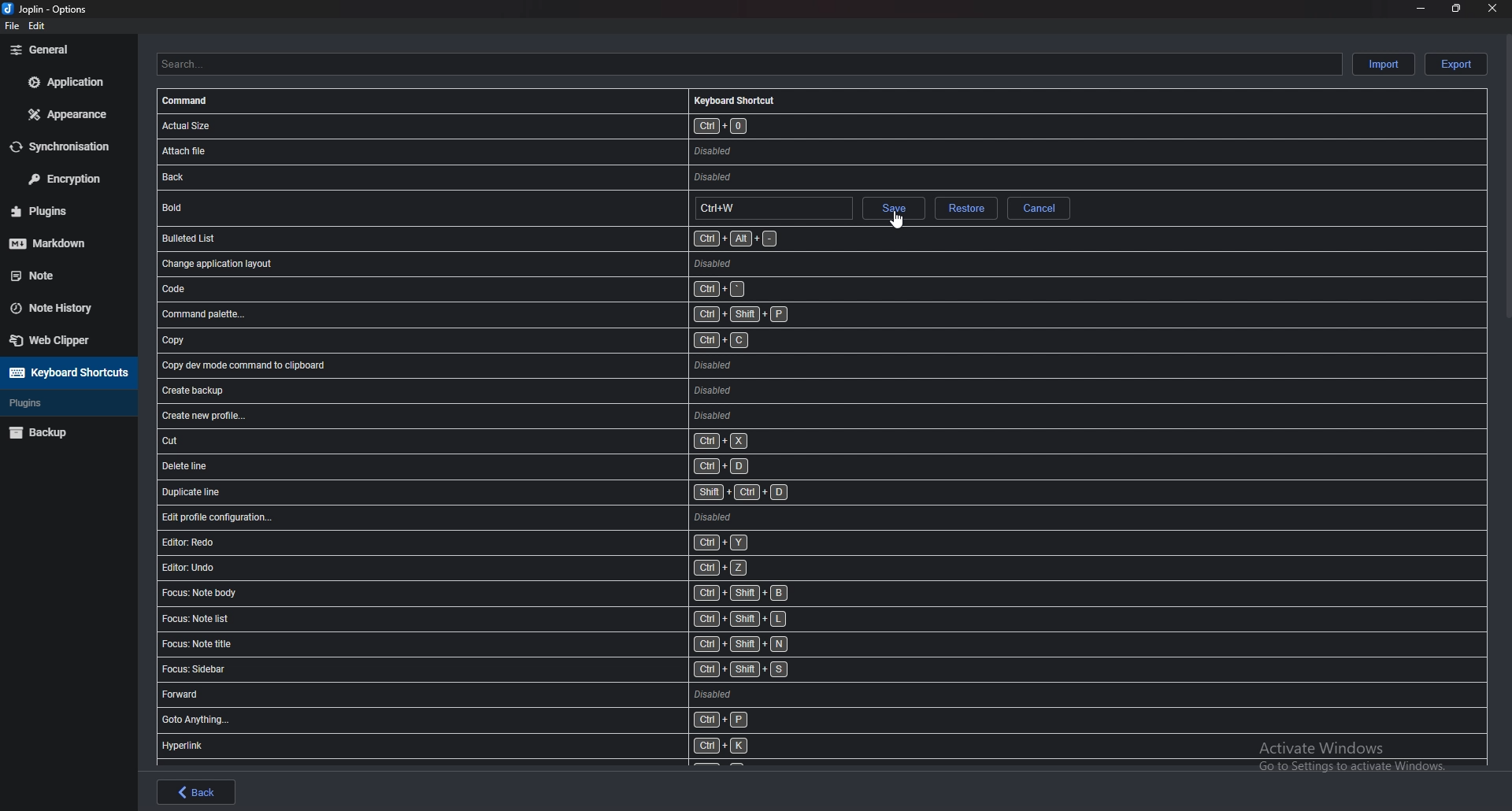  Describe the element at coordinates (58, 273) in the screenshot. I see `Note` at that location.